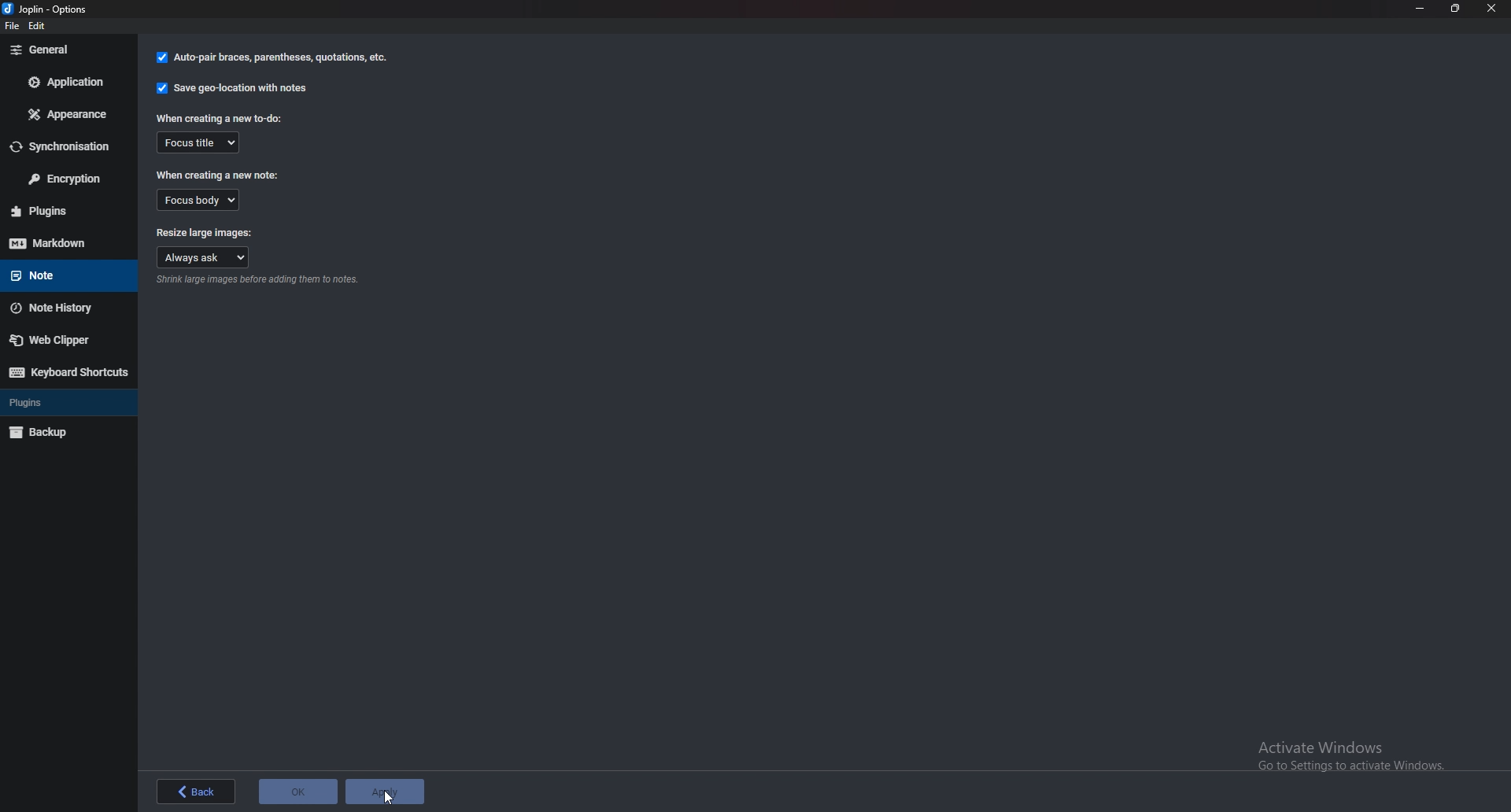 Image resolution: width=1511 pixels, height=812 pixels. I want to click on Focus title, so click(200, 142).